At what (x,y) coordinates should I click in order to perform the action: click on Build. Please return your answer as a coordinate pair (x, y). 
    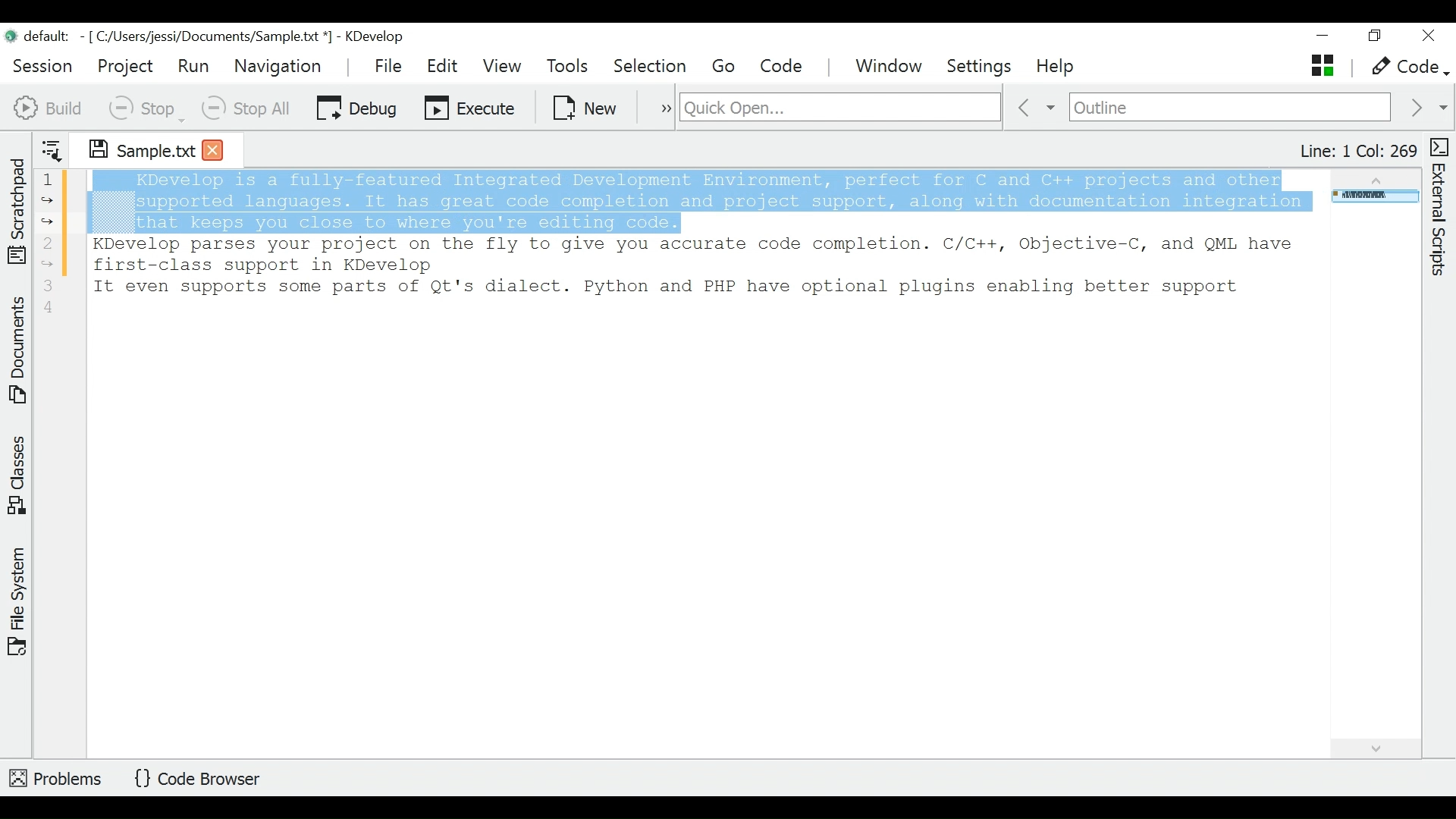
    Looking at the image, I should click on (49, 106).